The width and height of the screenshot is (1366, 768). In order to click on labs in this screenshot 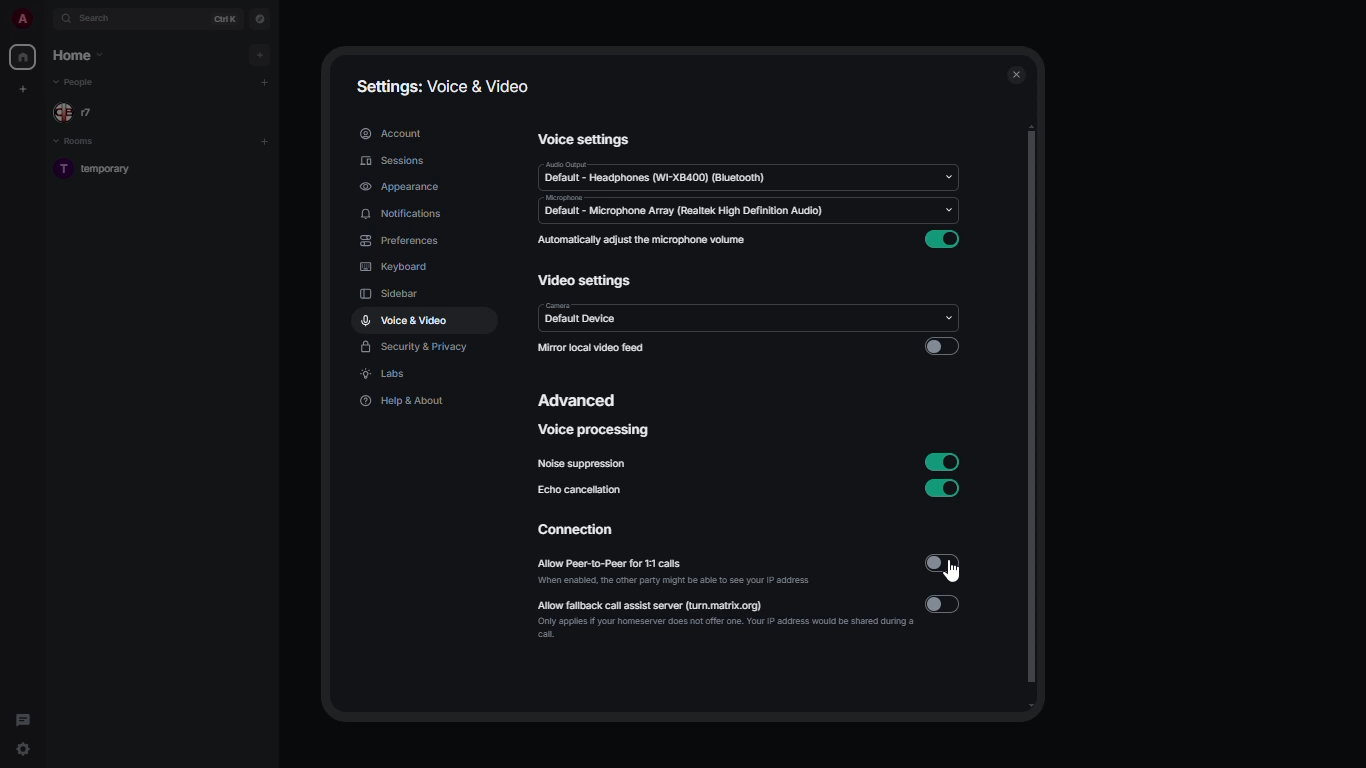, I will do `click(385, 375)`.